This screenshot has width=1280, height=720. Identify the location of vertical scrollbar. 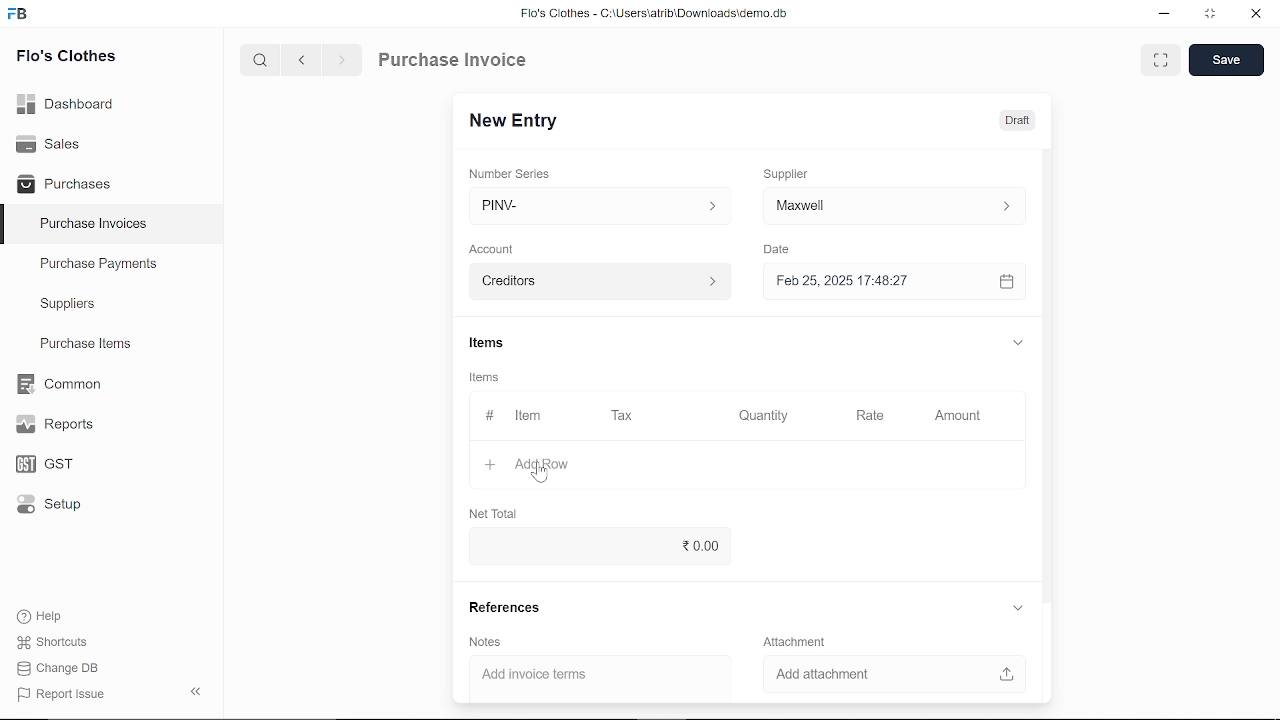
(1047, 373).